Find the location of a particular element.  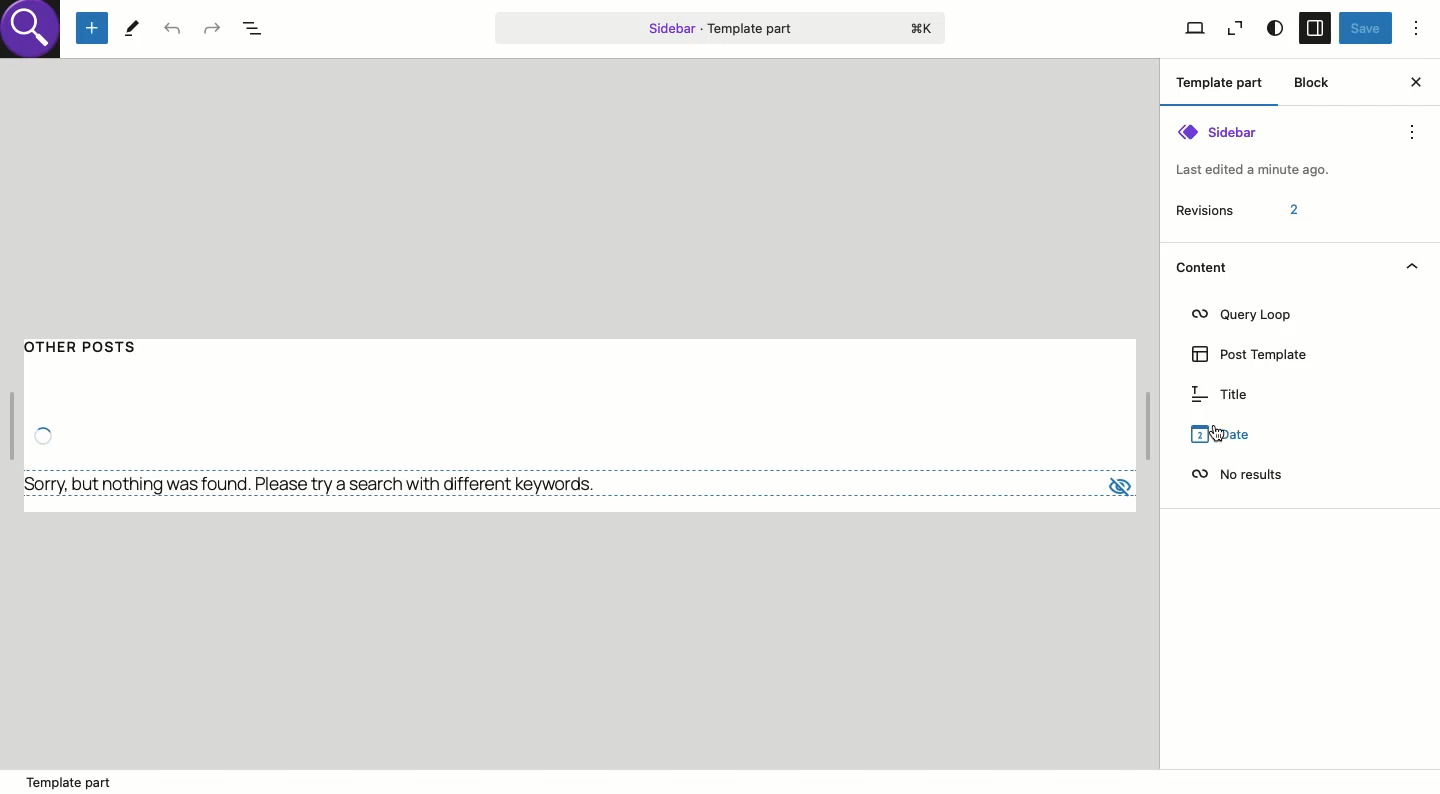

Undo is located at coordinates (173, 30).